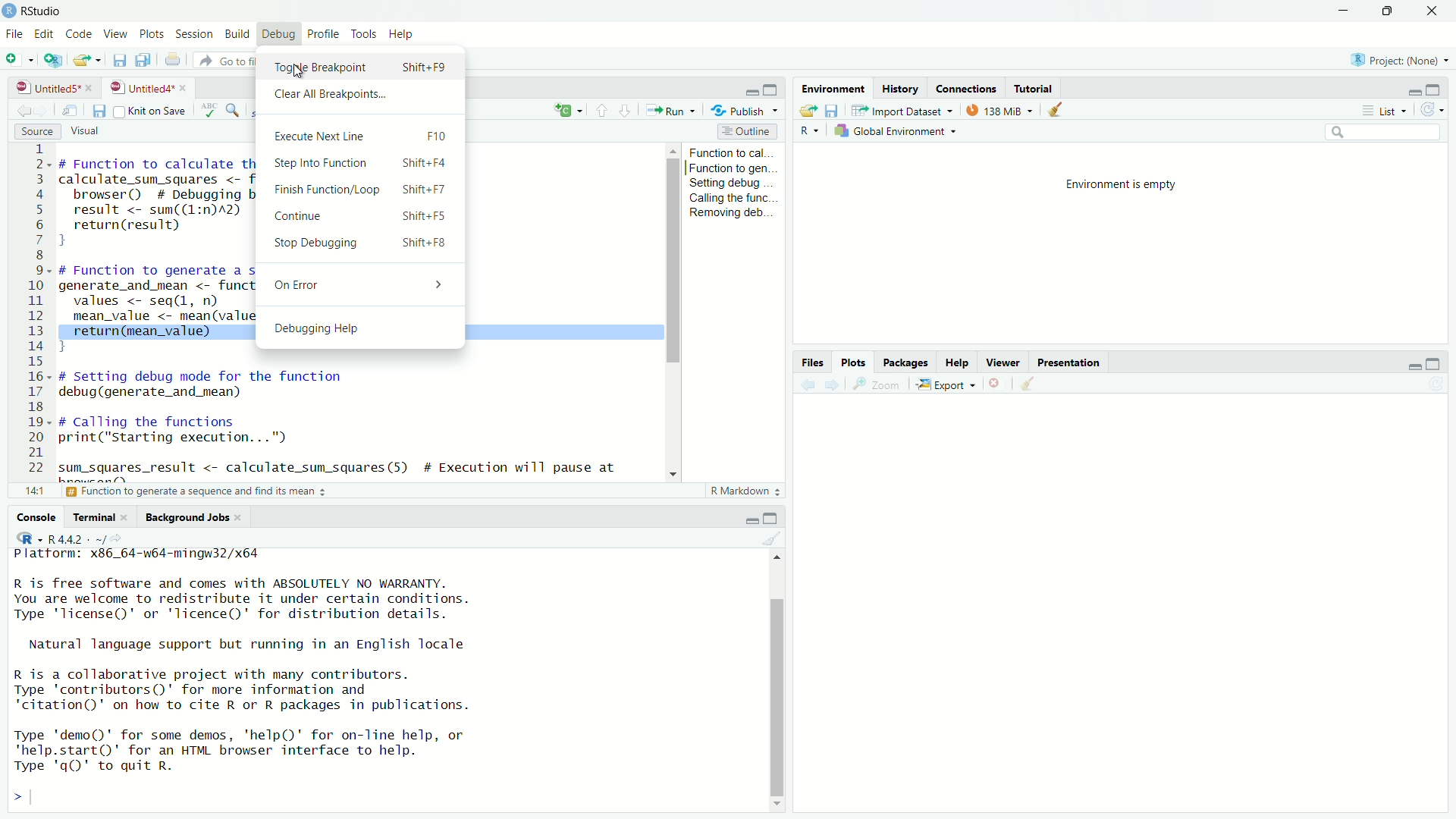 This screenshot has width=1456, height=819. What do you see at coordinates (278, 34) in the screenshot?
I see `debug` at bounding box center [278, 34].